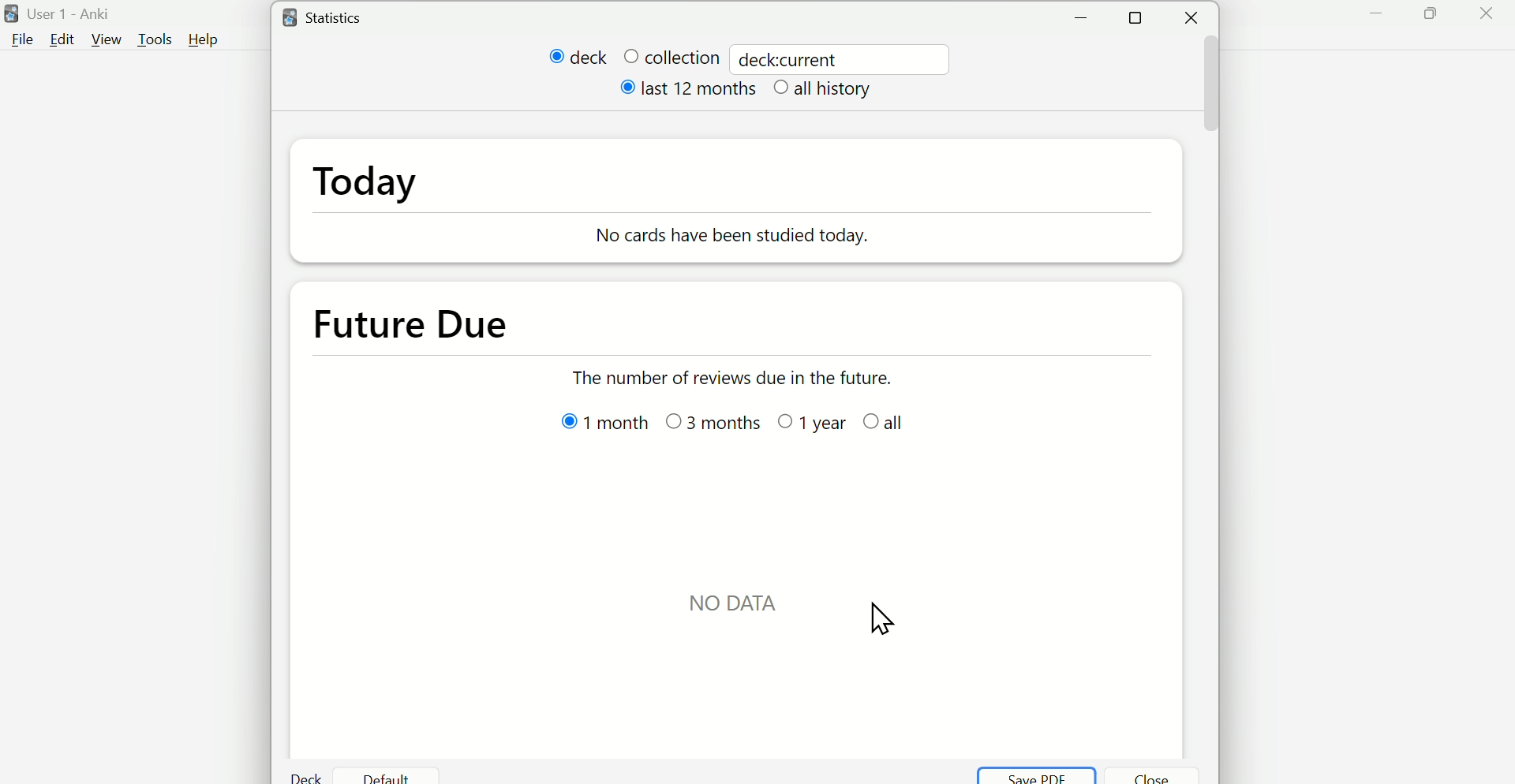 The height and width of the screenshot is (784, 1515). Describe the element at coordinates (824, 89) in the screenshot. I see `all history` at that location.